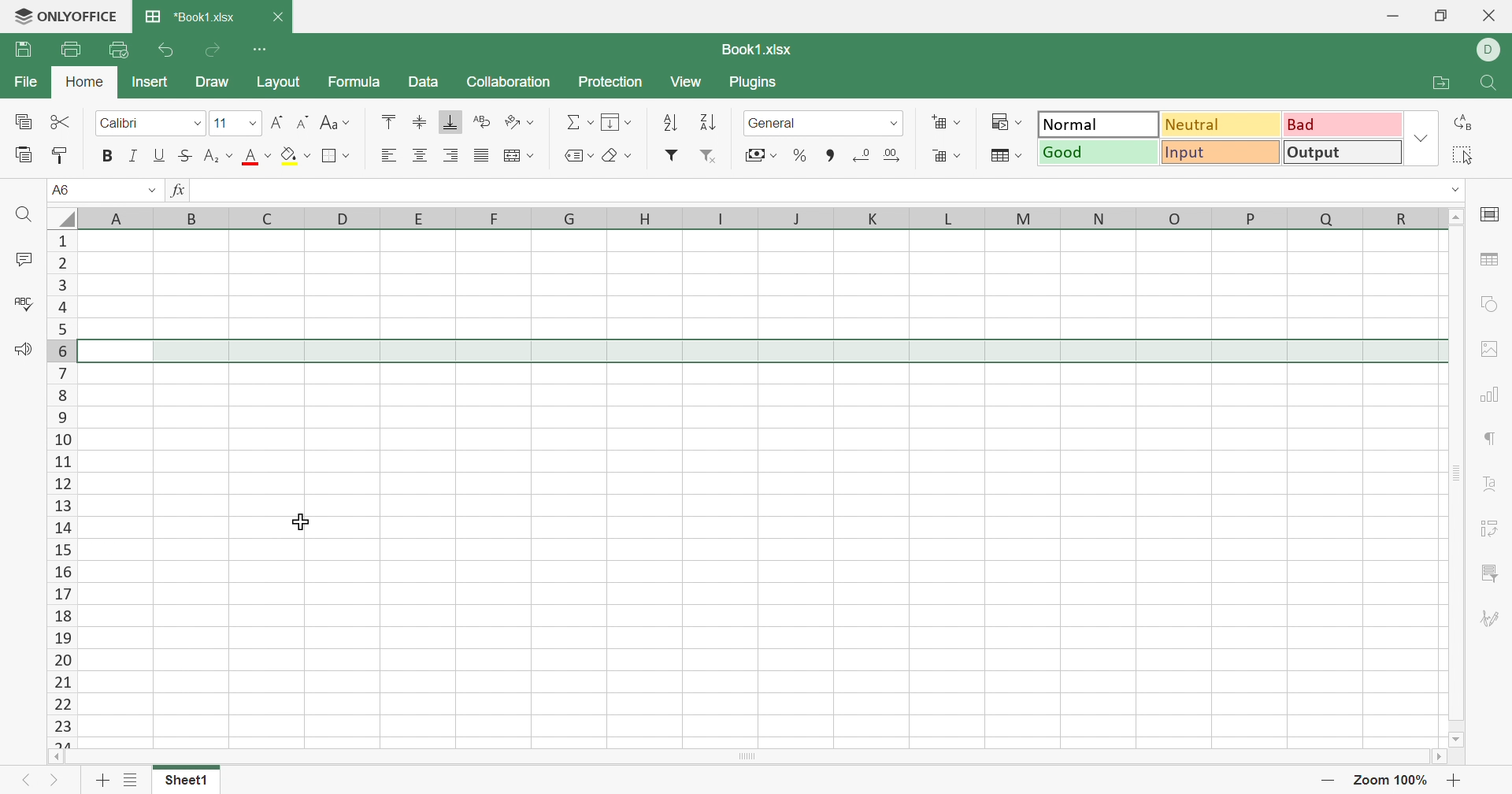 The width and height of the screenshot is (1512, 794). Describe the element at coordinates (1002, 118) in the screenshot. I see `Conditional formatting` at that location.